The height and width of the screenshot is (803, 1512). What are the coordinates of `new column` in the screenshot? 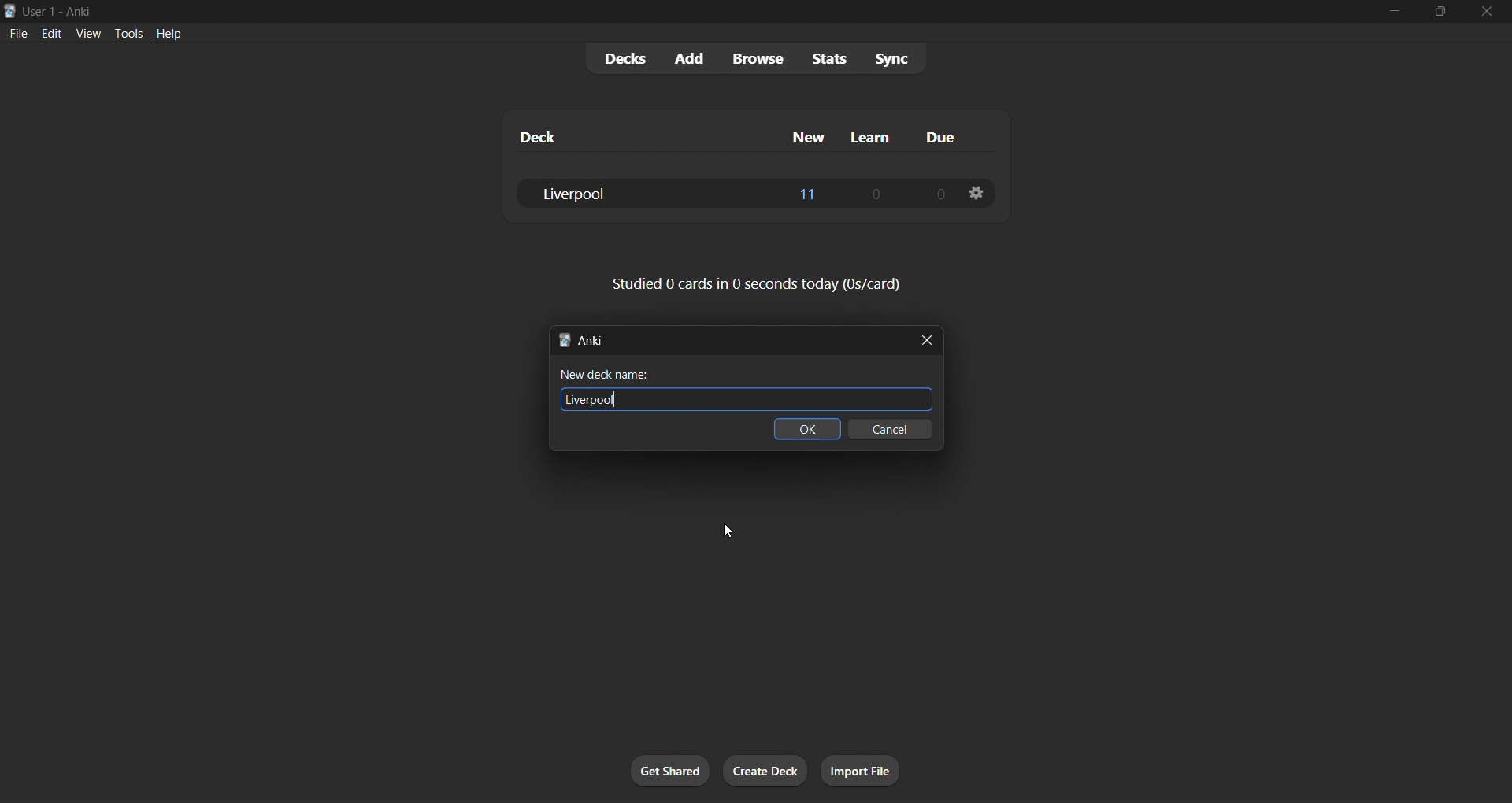 It's located at (809, 135).